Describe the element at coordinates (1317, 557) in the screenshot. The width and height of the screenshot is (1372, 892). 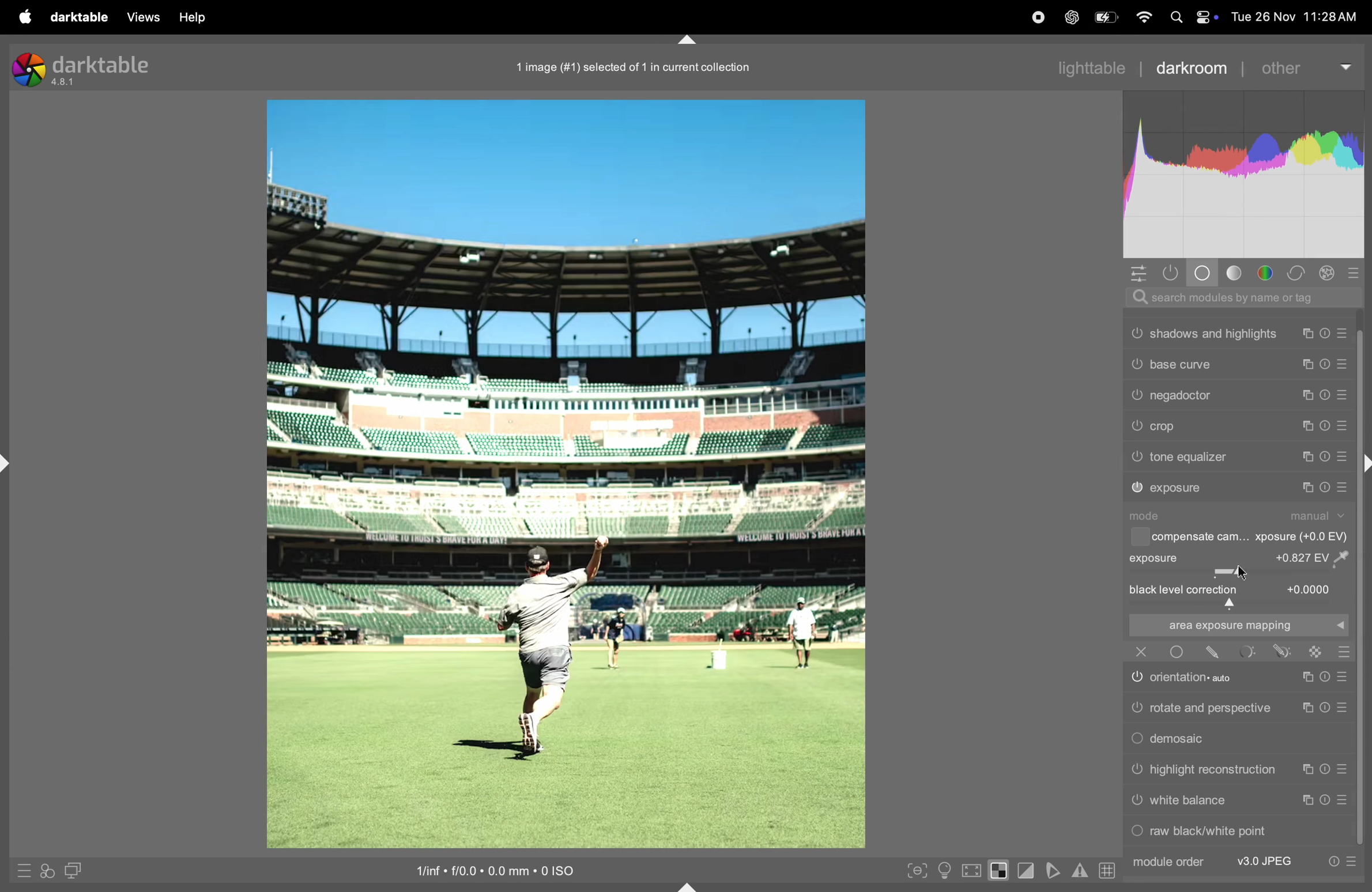
I see `Value` at that location.